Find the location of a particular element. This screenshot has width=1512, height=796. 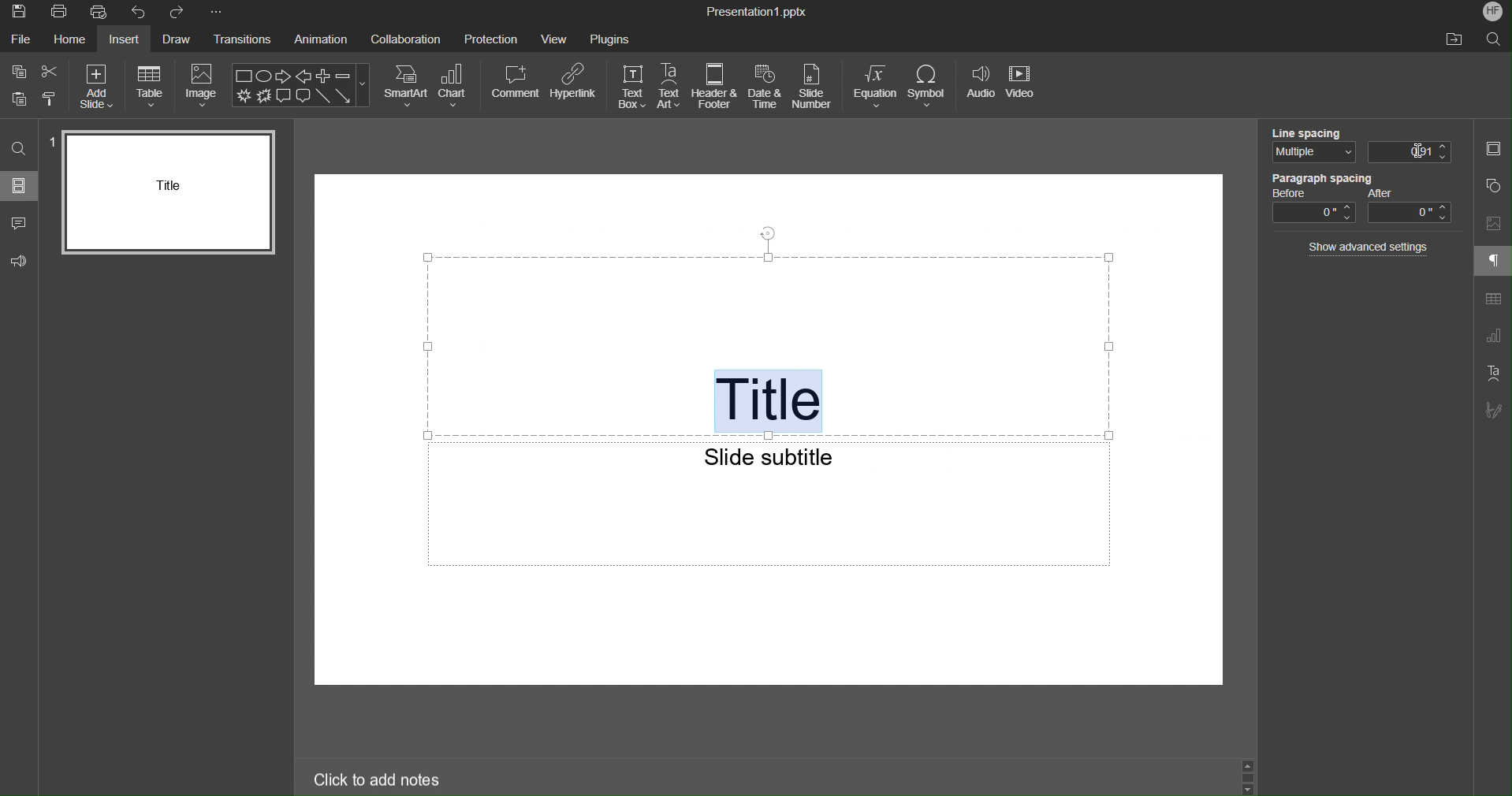

SmartArt is located at coordinates (405, 87).